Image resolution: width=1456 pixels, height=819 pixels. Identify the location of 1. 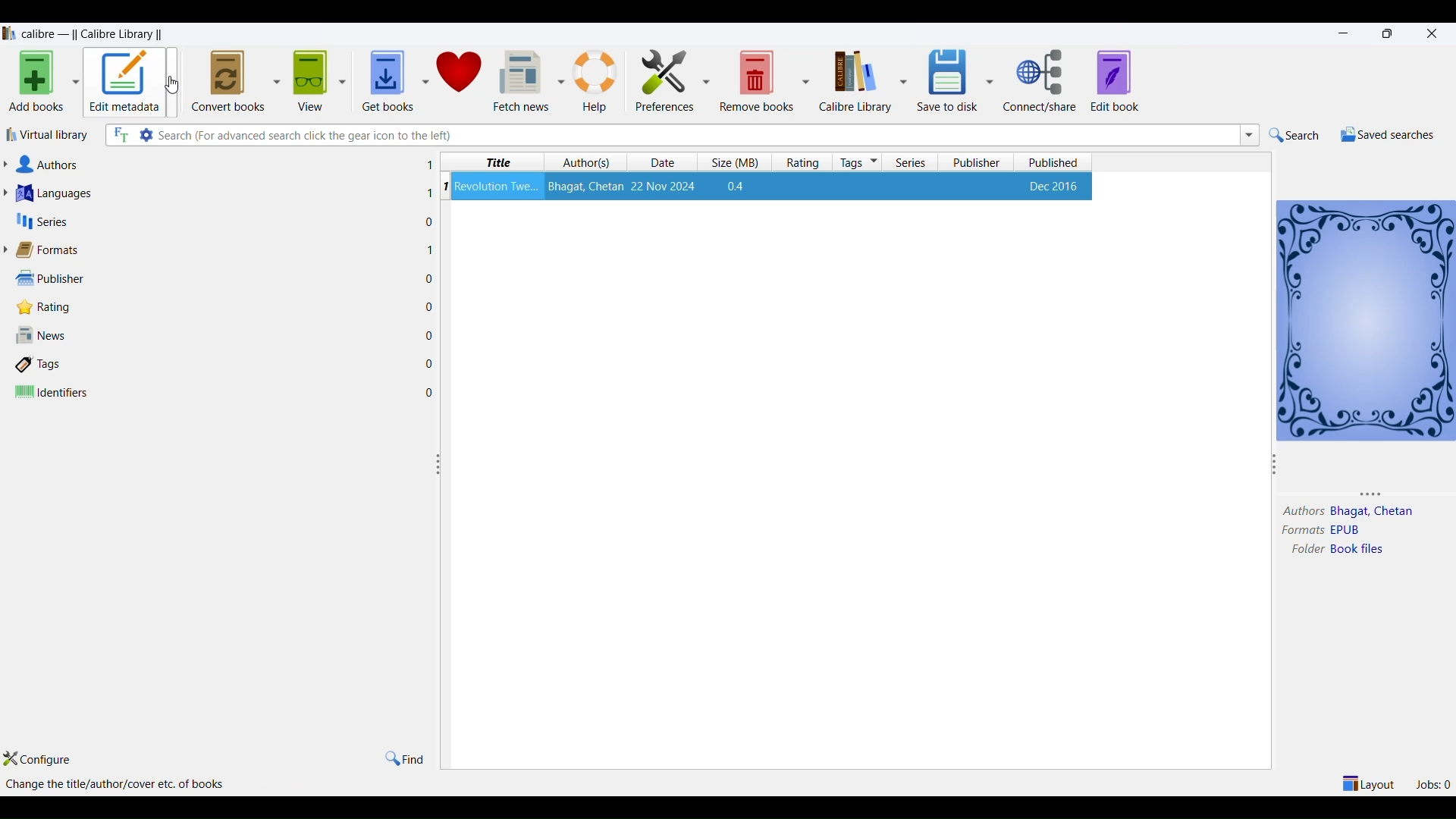
(429, 165).